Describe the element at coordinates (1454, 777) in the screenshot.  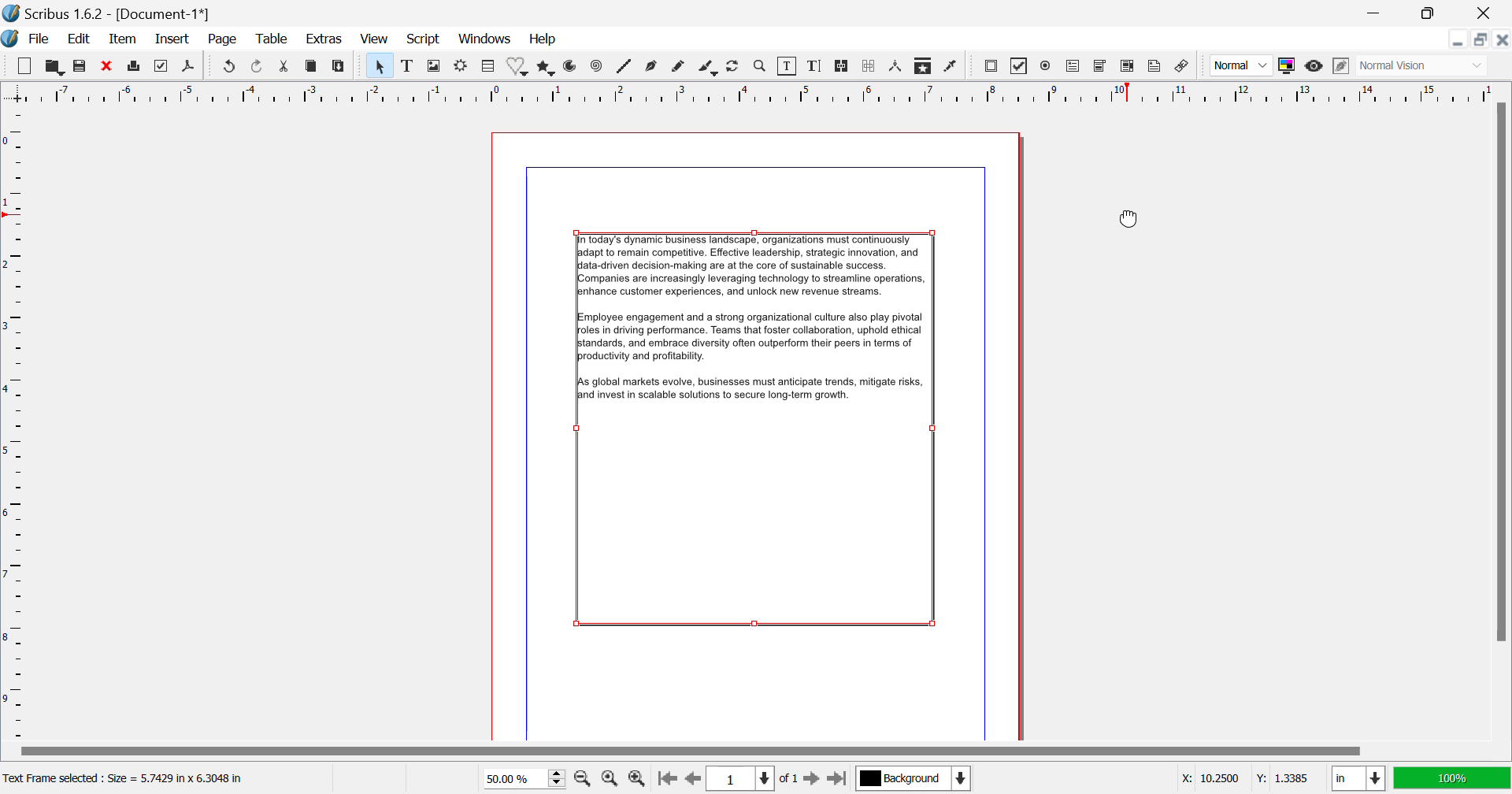
I see `Display Appearance` at that location.